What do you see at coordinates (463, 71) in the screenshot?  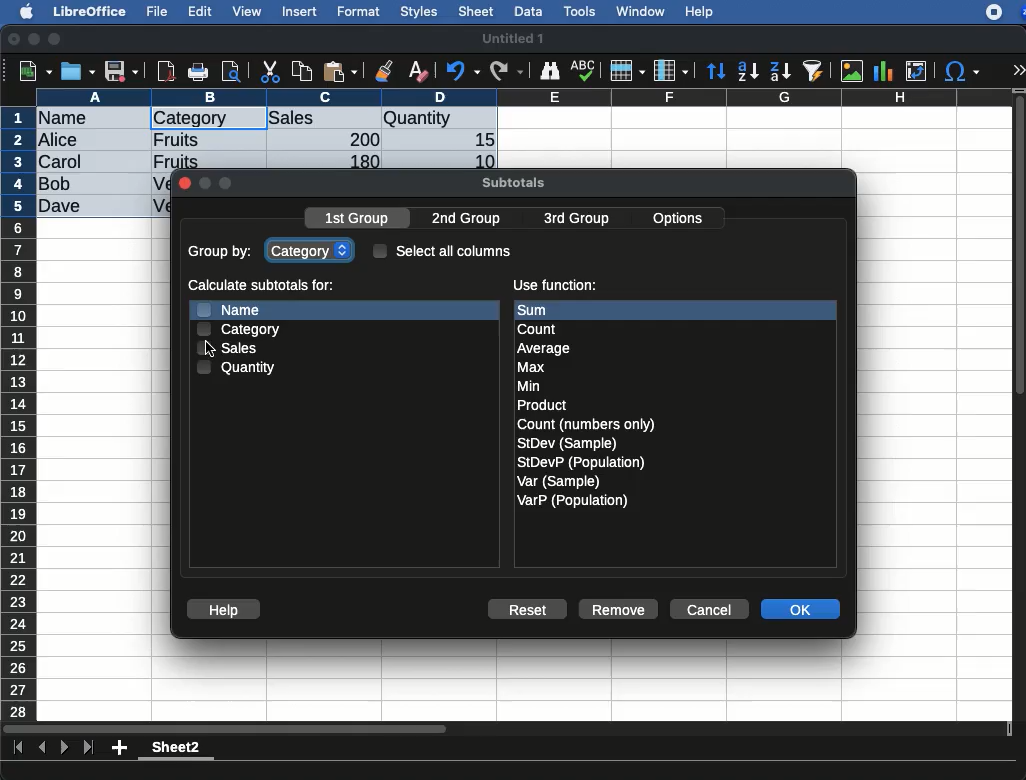 I see `undo` at bounding box center [463, 71].